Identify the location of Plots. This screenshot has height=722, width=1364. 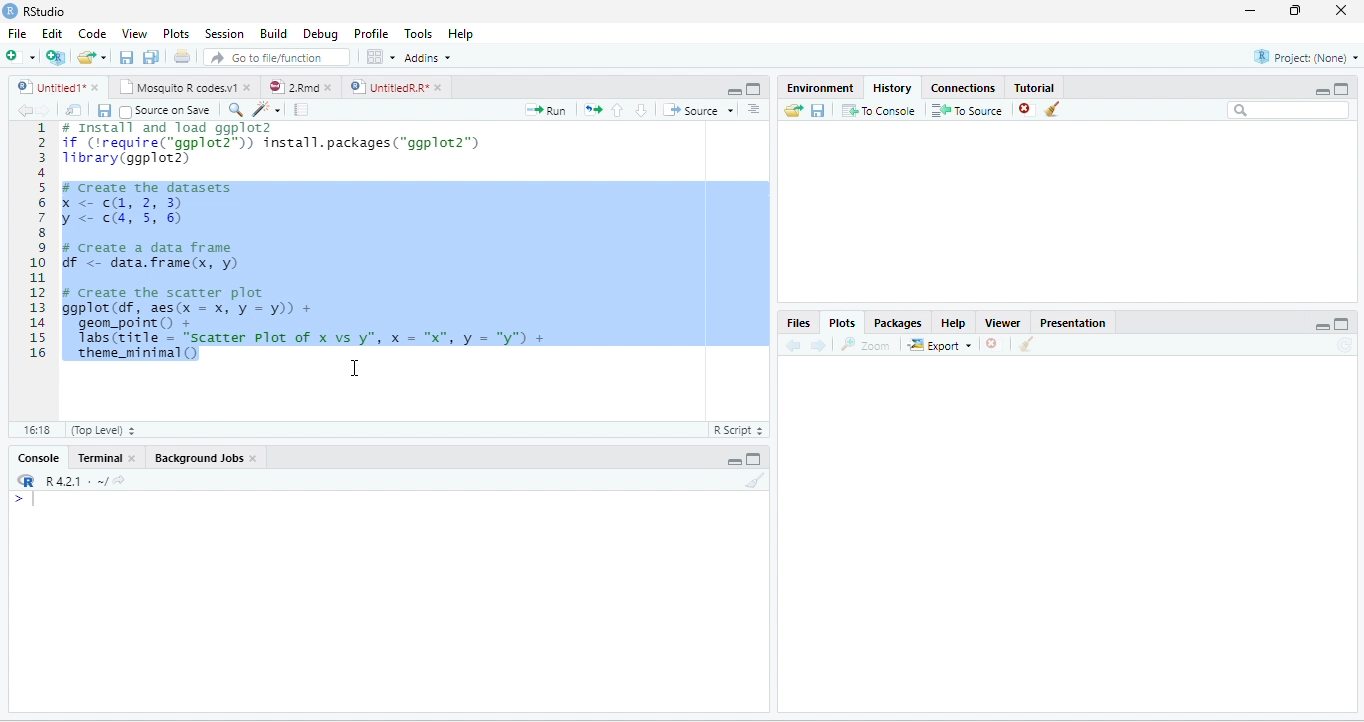
(176, 33).